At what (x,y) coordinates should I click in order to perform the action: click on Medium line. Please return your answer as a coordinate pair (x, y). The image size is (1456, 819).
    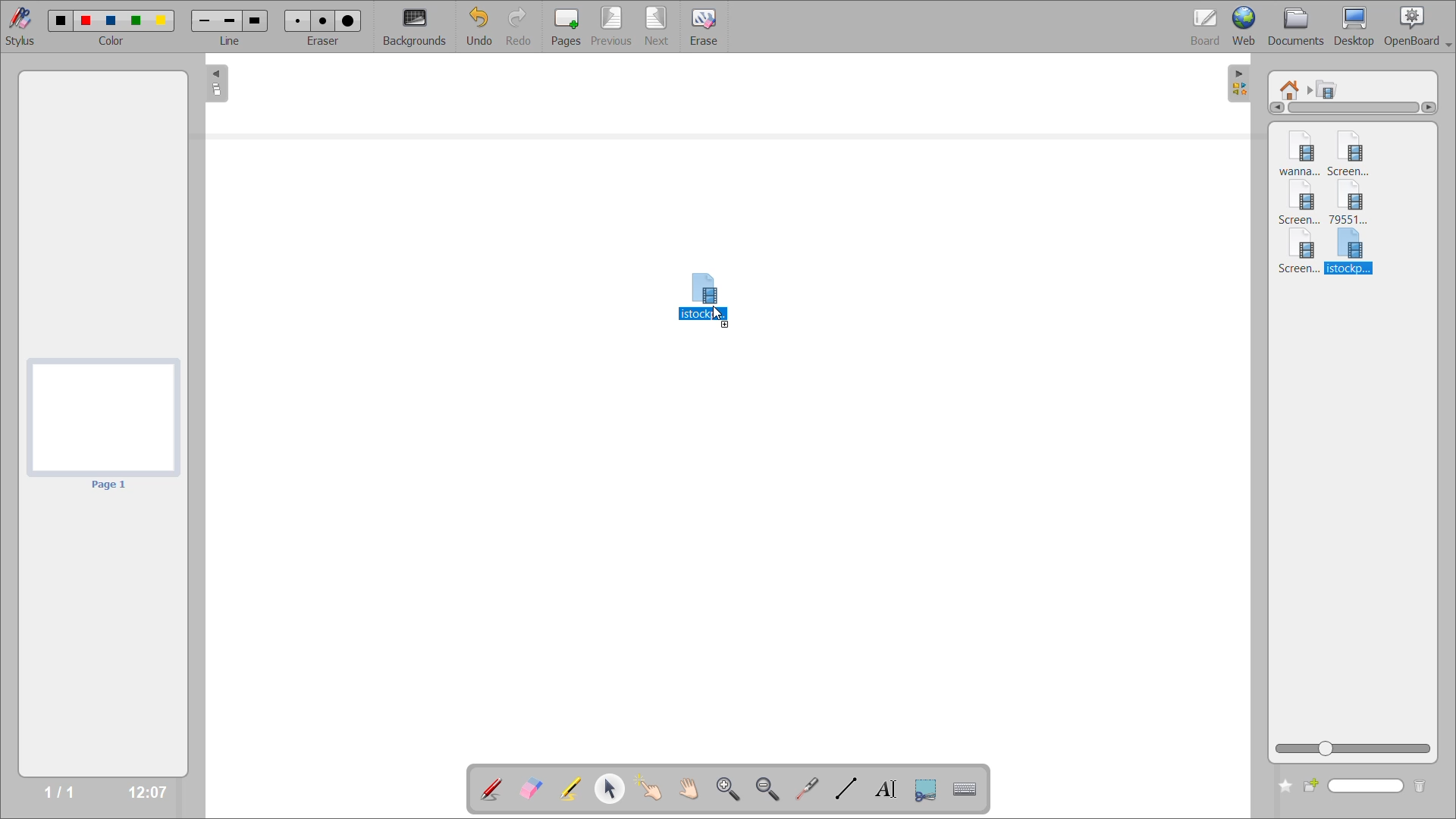
    Looking at the image, I should click on (231, 20).